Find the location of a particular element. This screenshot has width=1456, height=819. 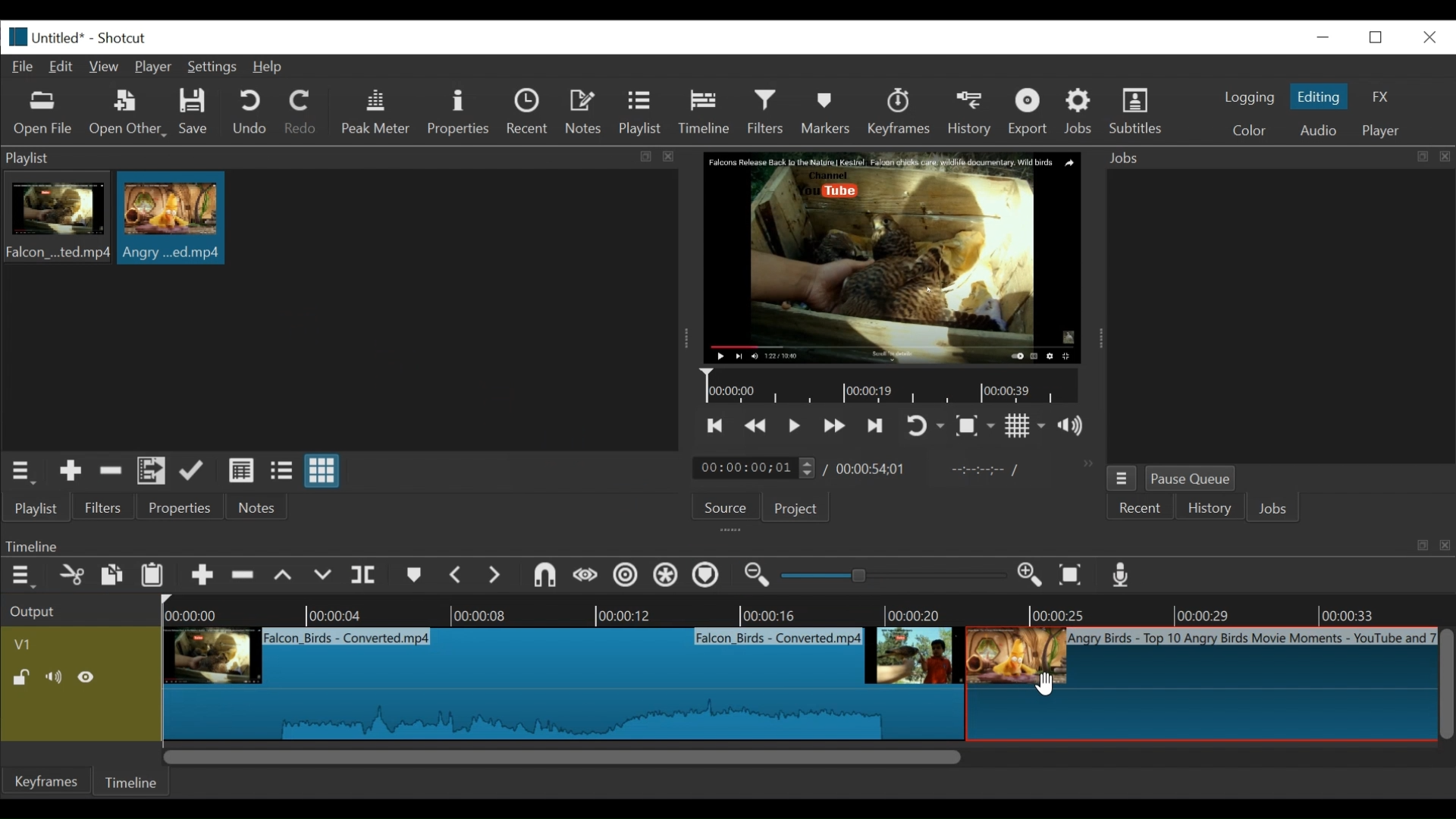

Export is located at coordinates (1031, 114).